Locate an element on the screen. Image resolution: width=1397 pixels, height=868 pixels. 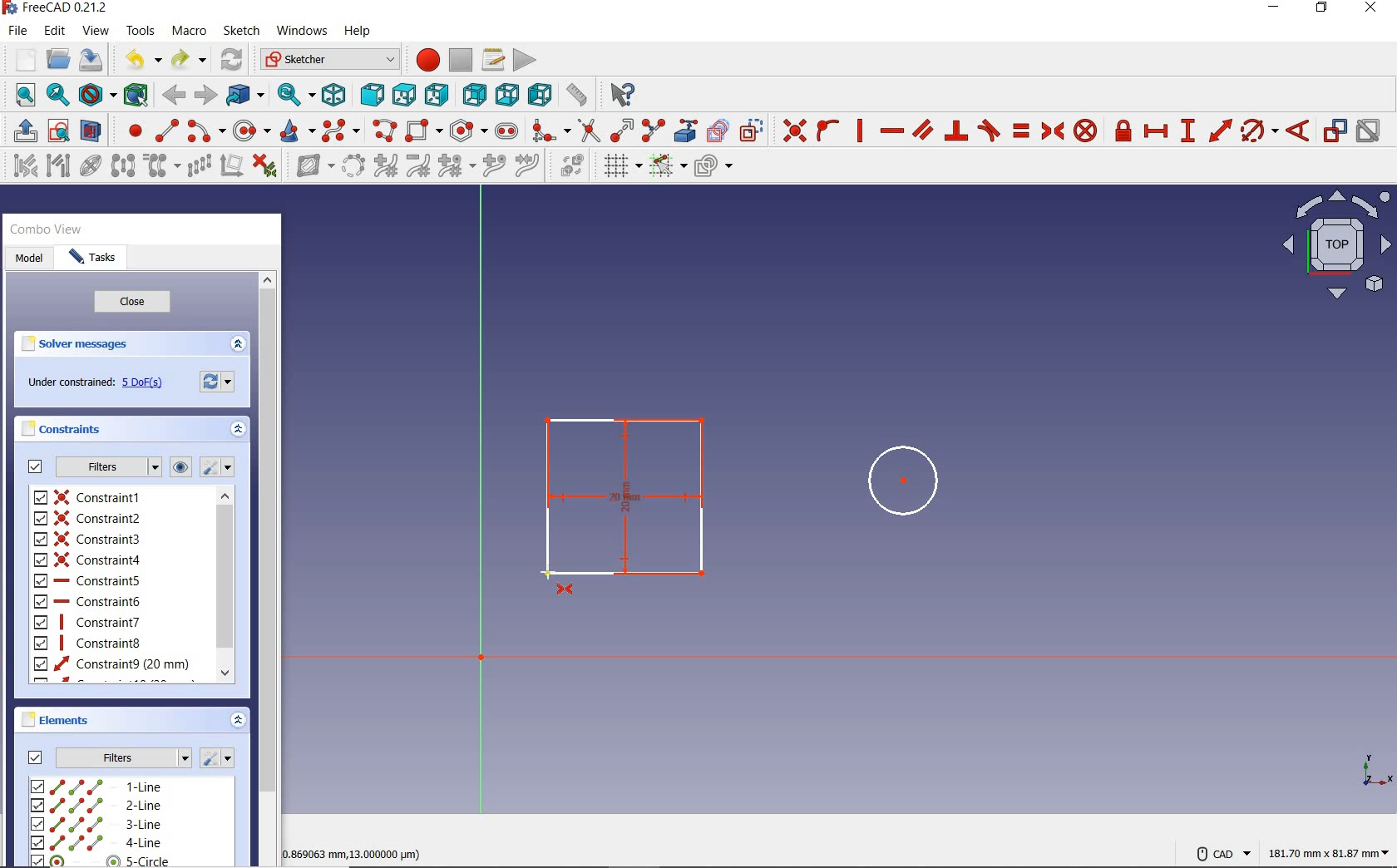
undo is located at coordinates (140, 58).